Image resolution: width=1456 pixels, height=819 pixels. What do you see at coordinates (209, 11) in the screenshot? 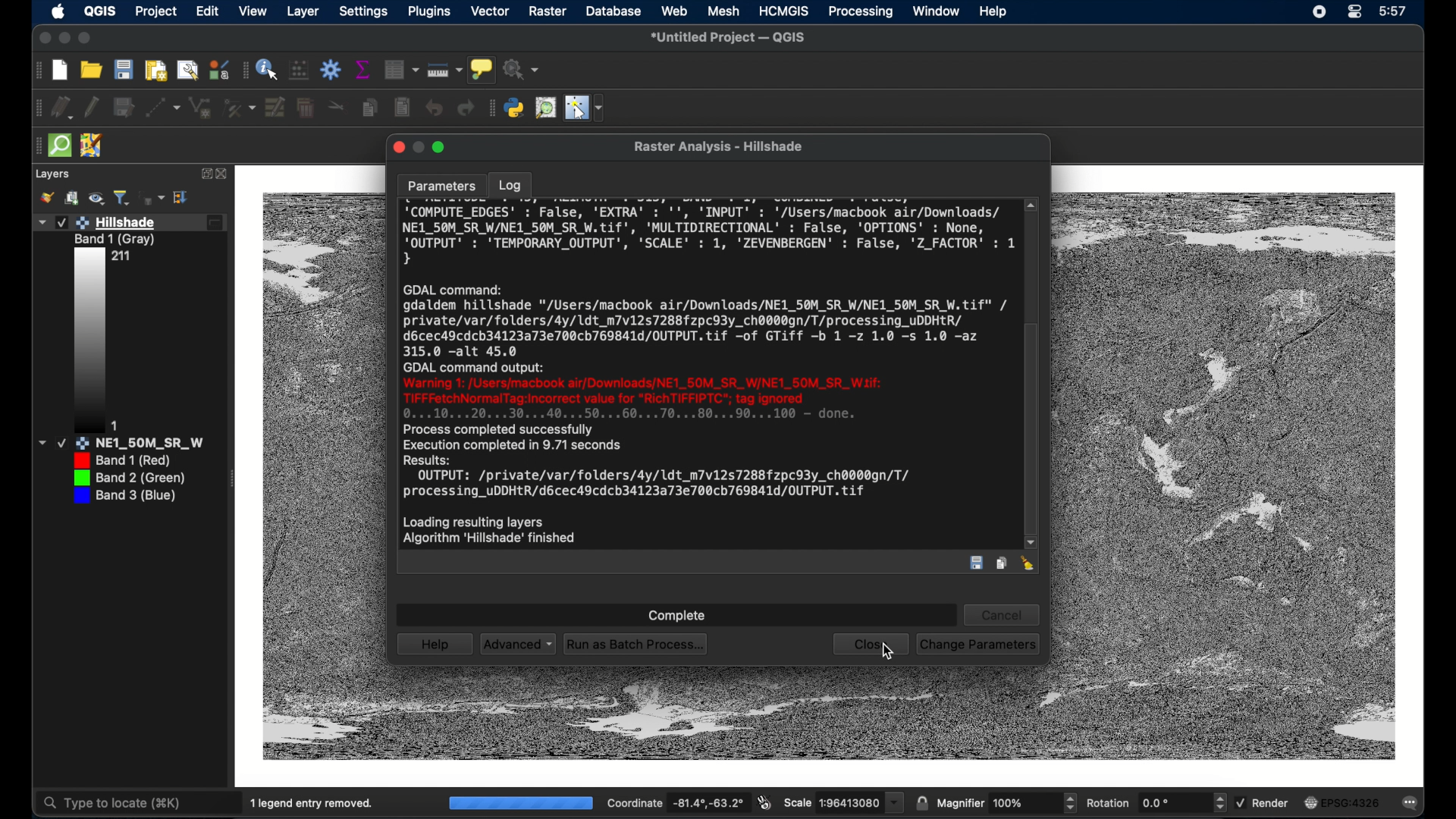
I see `edit` at bounding box center [209, 11].